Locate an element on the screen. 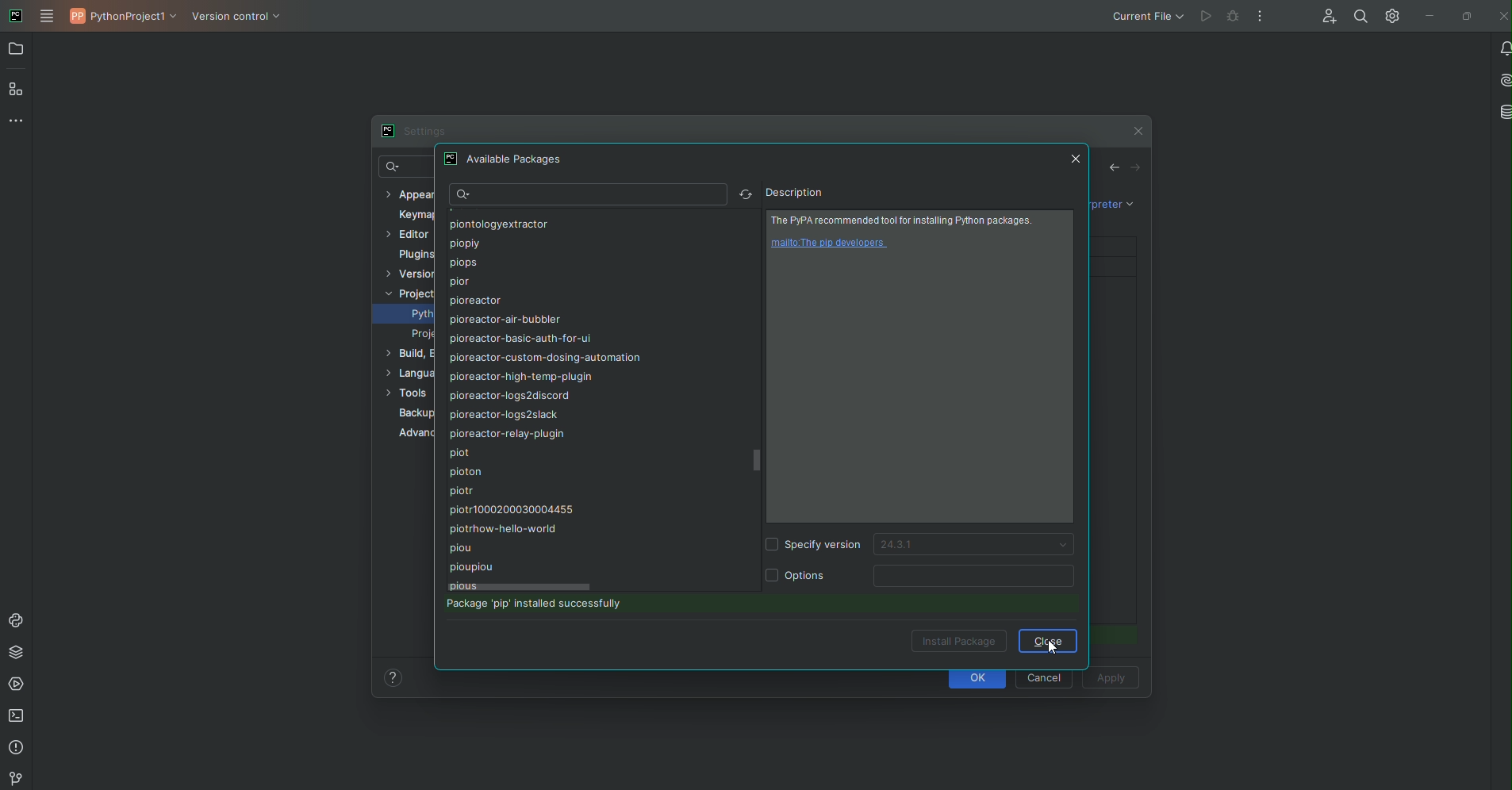 This screenshot has width=1512, height=790. Appearance and behavior is located at coordinates (409, 194).